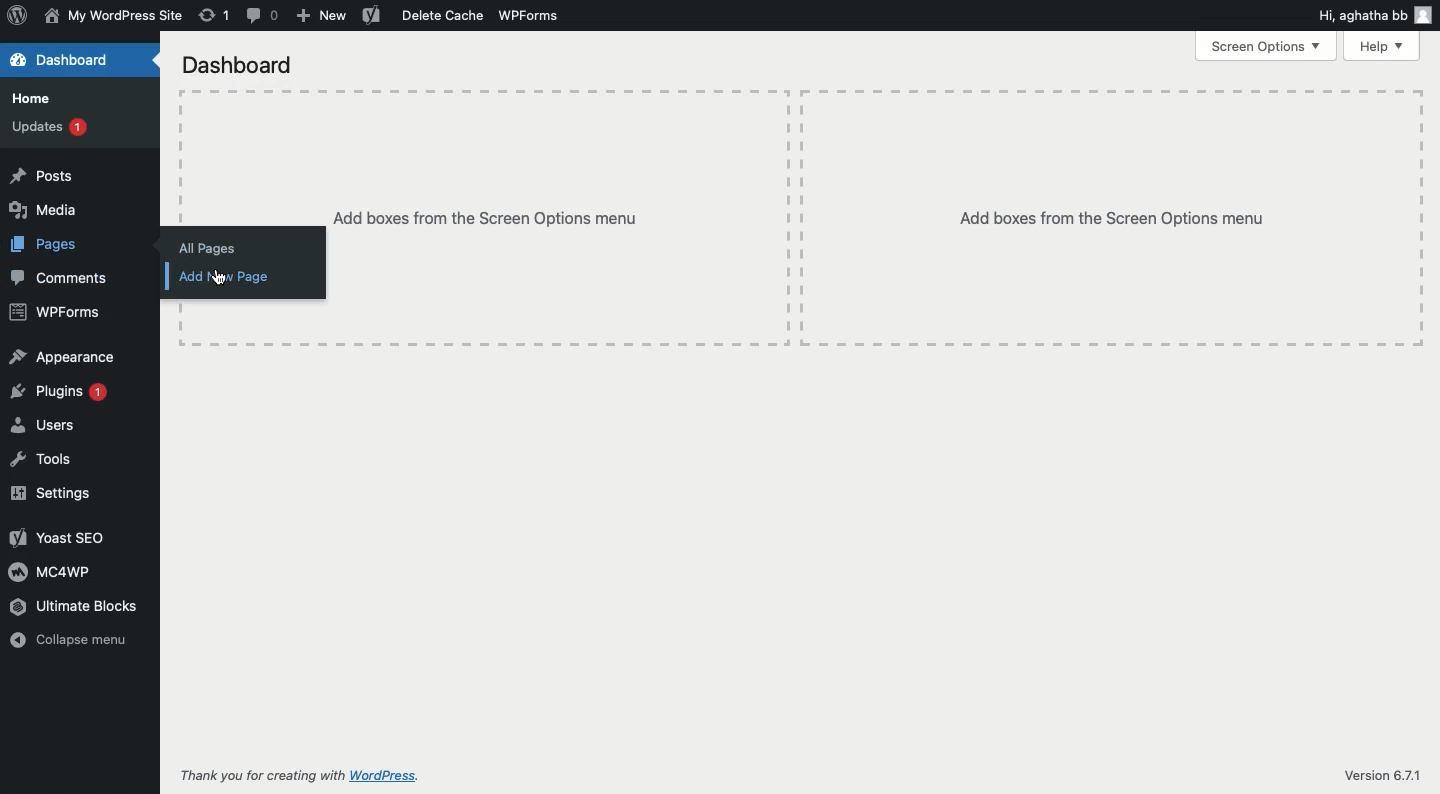 The width and height of the screenshot is (1440, 794). Describe the element at coordinates (1381, 777) in the screenshot. I see `Version 6.7.1` at that location.